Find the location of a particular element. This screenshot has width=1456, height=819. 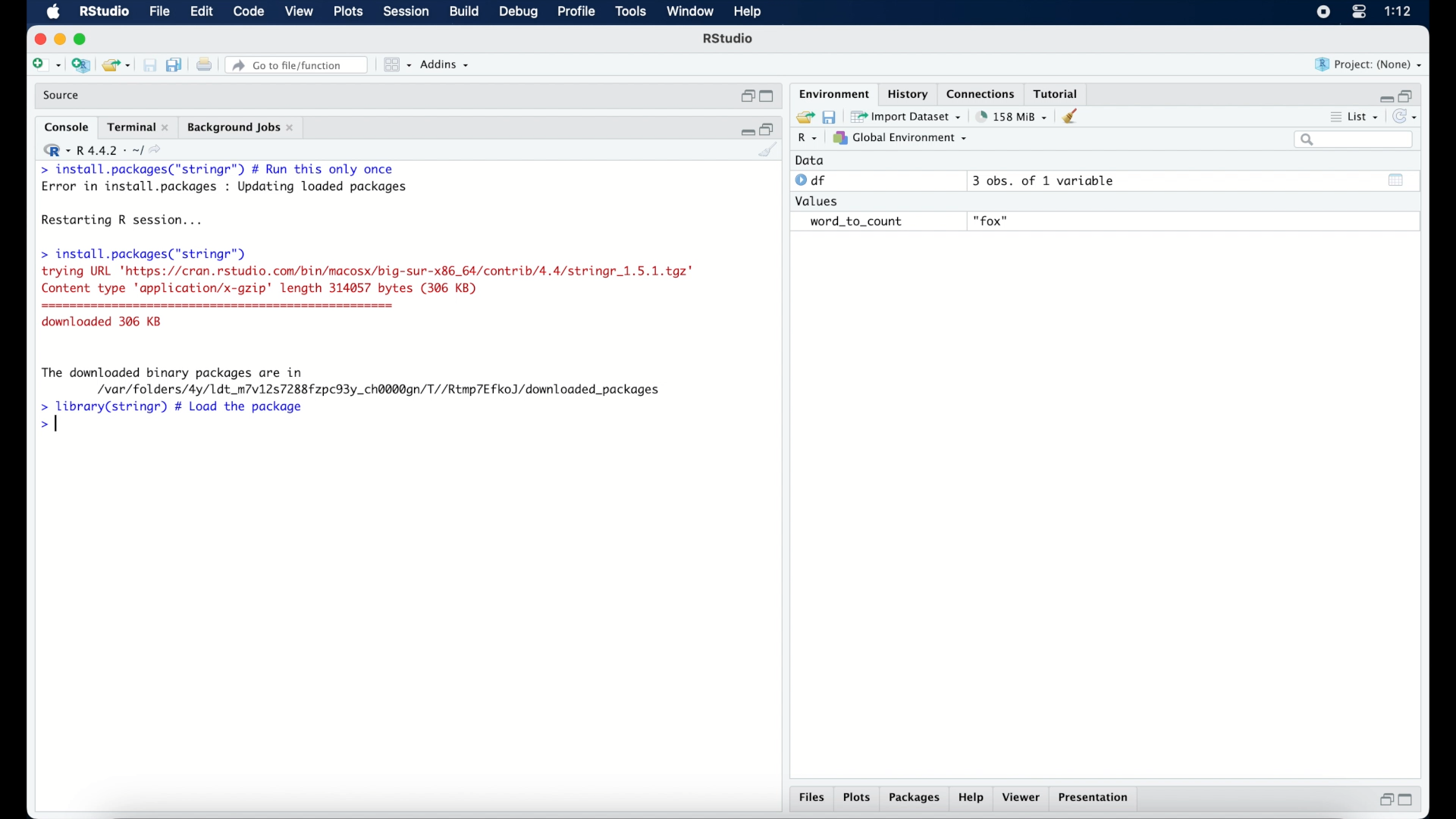

addins is located at coordinates (445, 64).